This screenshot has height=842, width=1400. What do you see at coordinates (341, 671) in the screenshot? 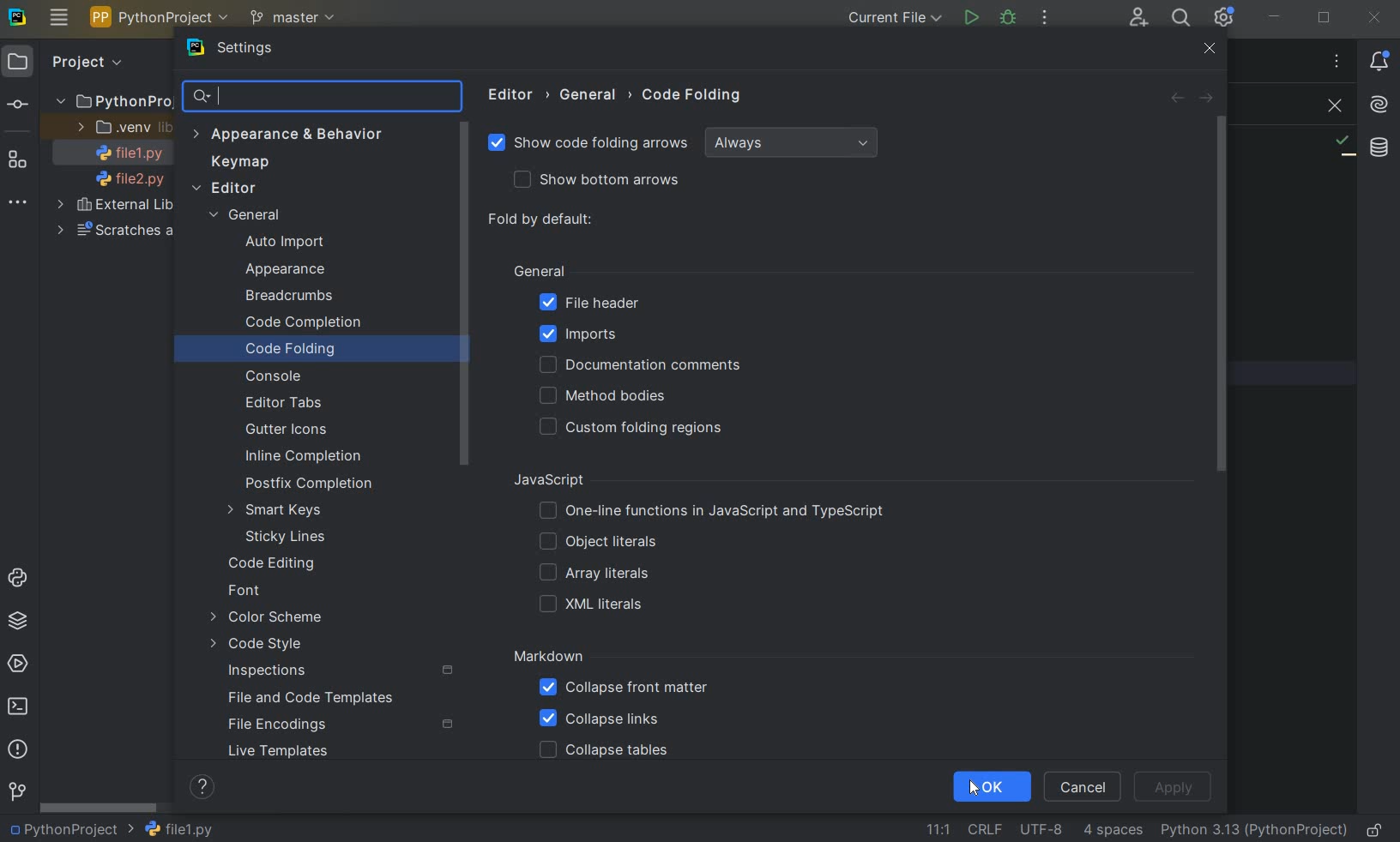
I see `INSPECTIONS` at bounding box center [341, 671].